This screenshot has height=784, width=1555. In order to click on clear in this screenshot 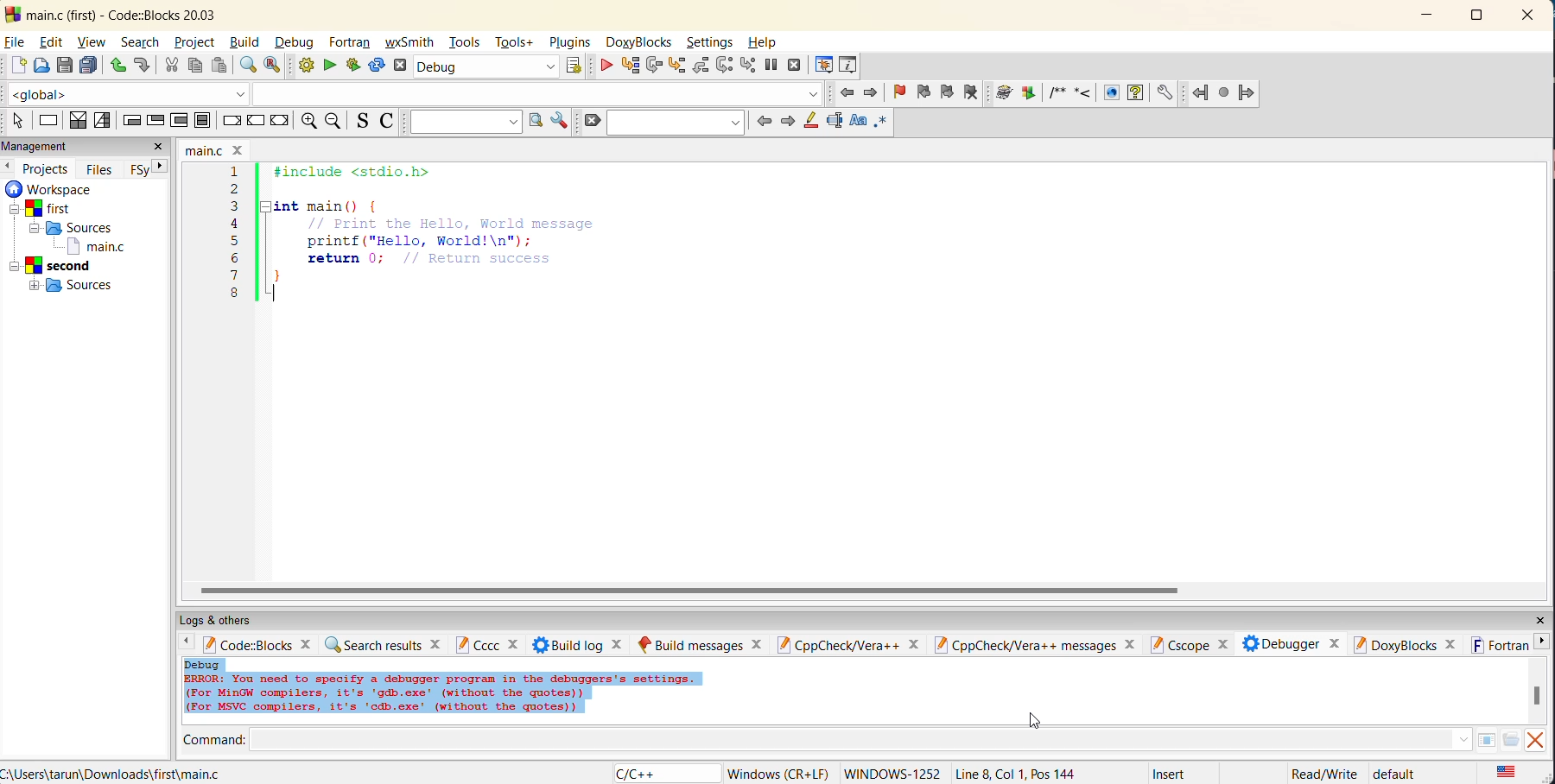, I will do `click(593, 123)`.